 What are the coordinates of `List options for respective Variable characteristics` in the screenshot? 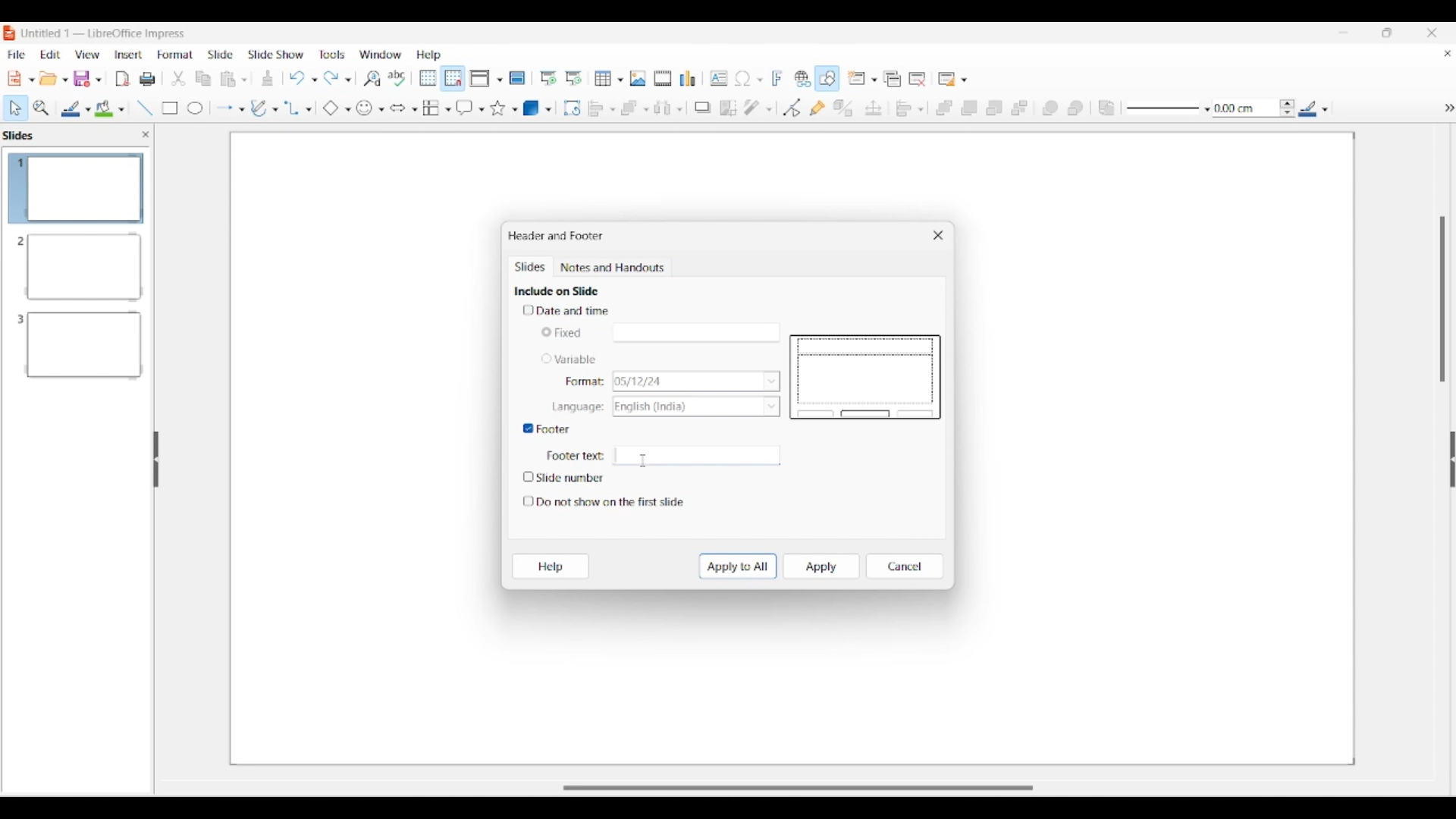 It's located at (697, 394).